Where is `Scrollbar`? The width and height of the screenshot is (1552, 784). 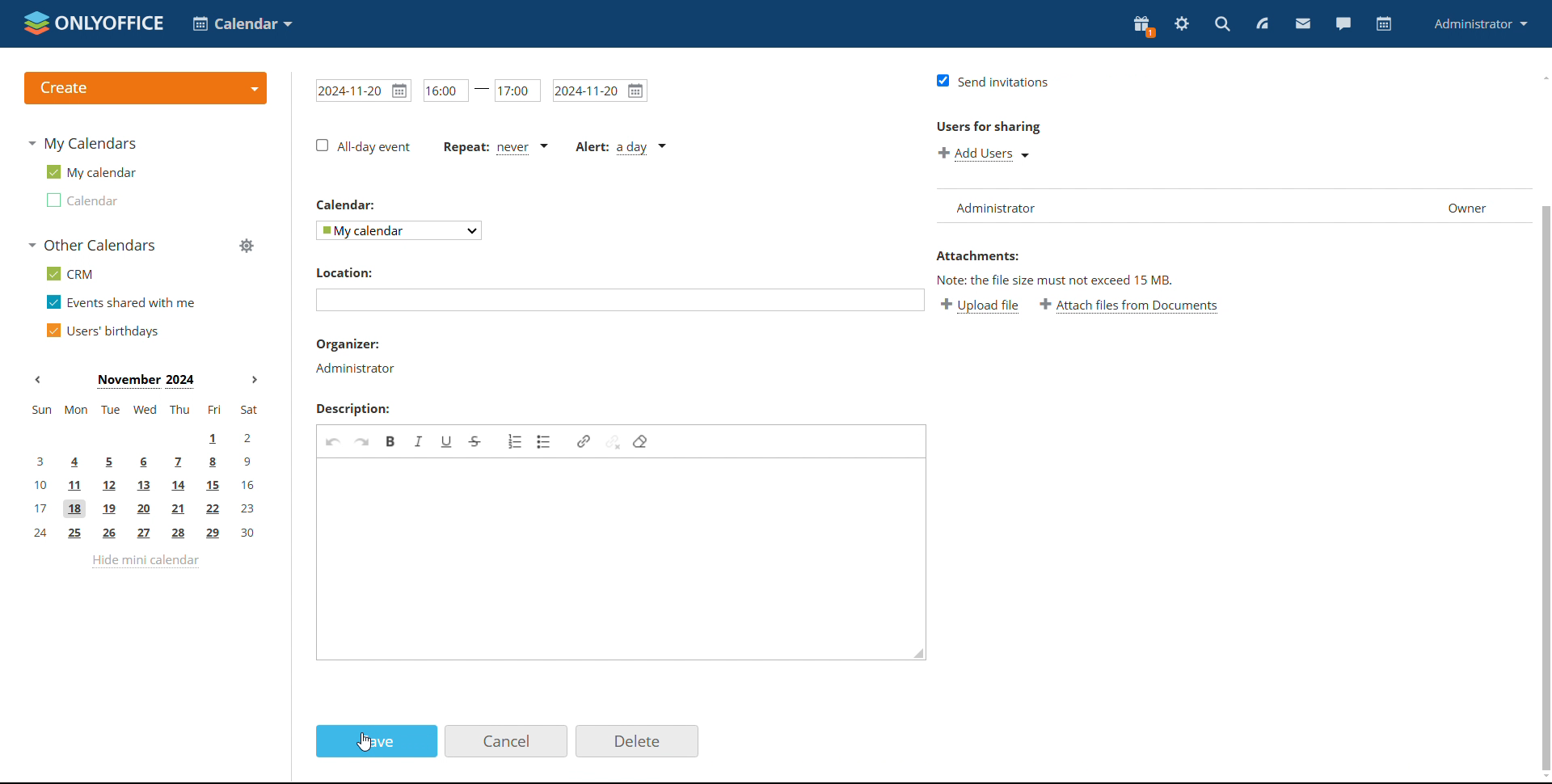
Scrollbar is located at coordinates (1546, 487).